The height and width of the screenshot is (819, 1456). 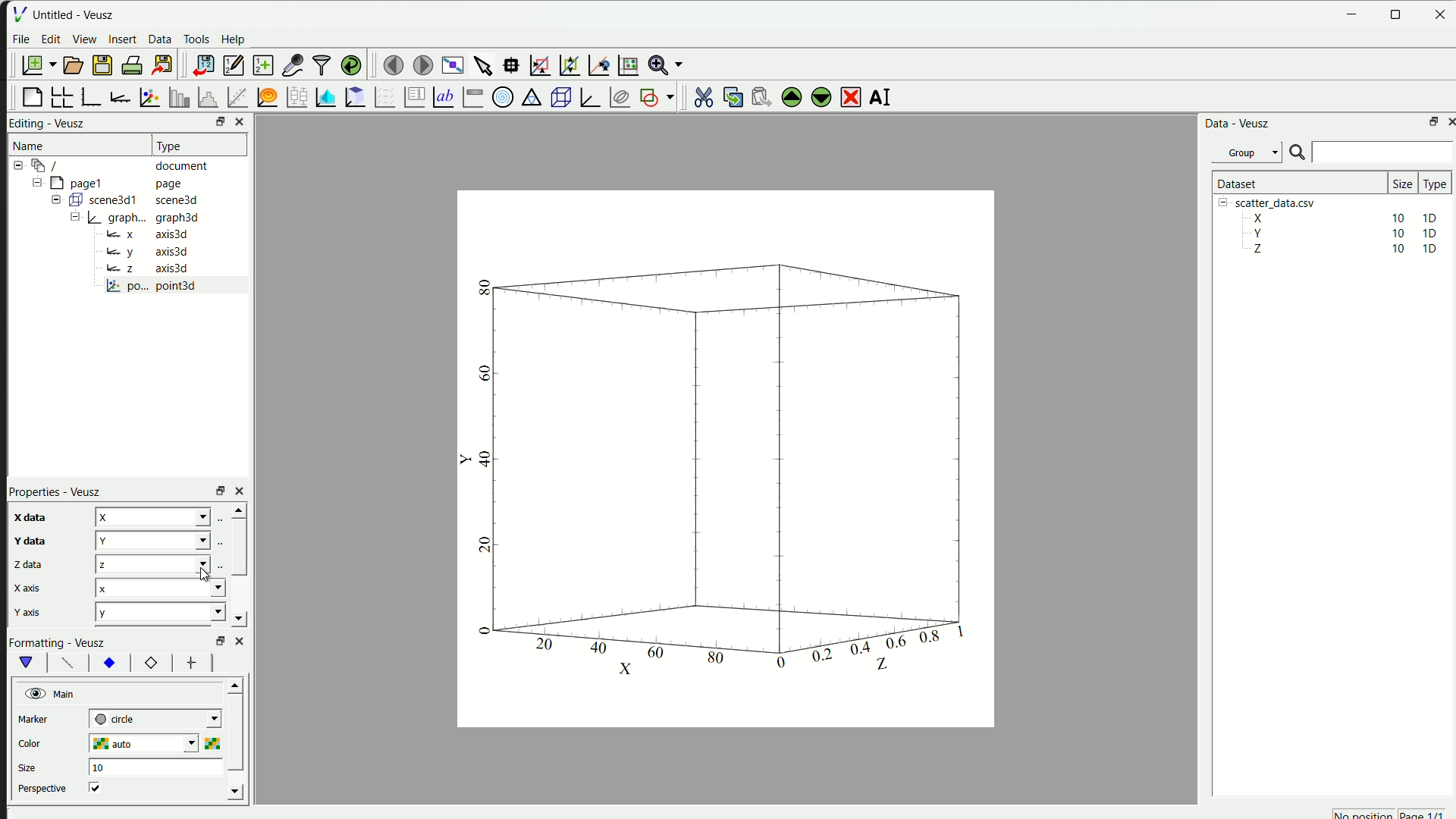 I want to click on X 10 10, so click(x=1339, y=217).